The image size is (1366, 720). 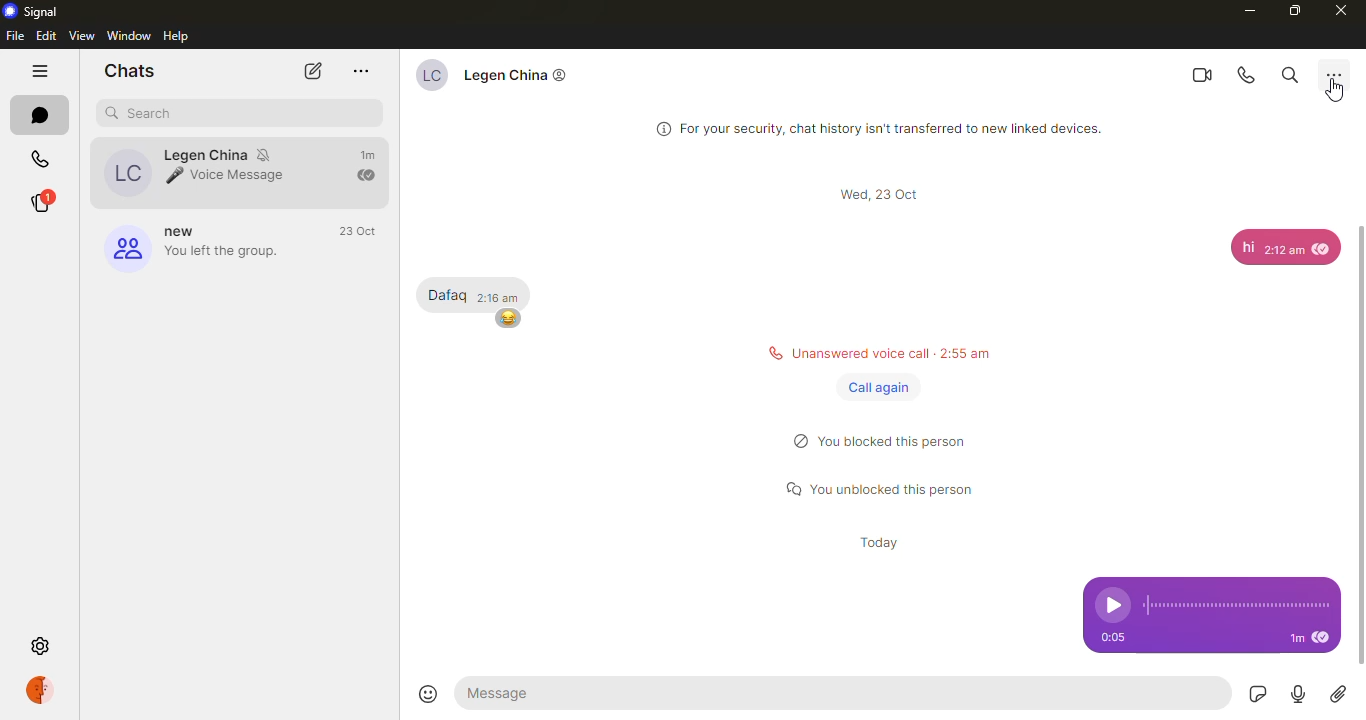 I want to click on more, so click(x=1333, y=75).